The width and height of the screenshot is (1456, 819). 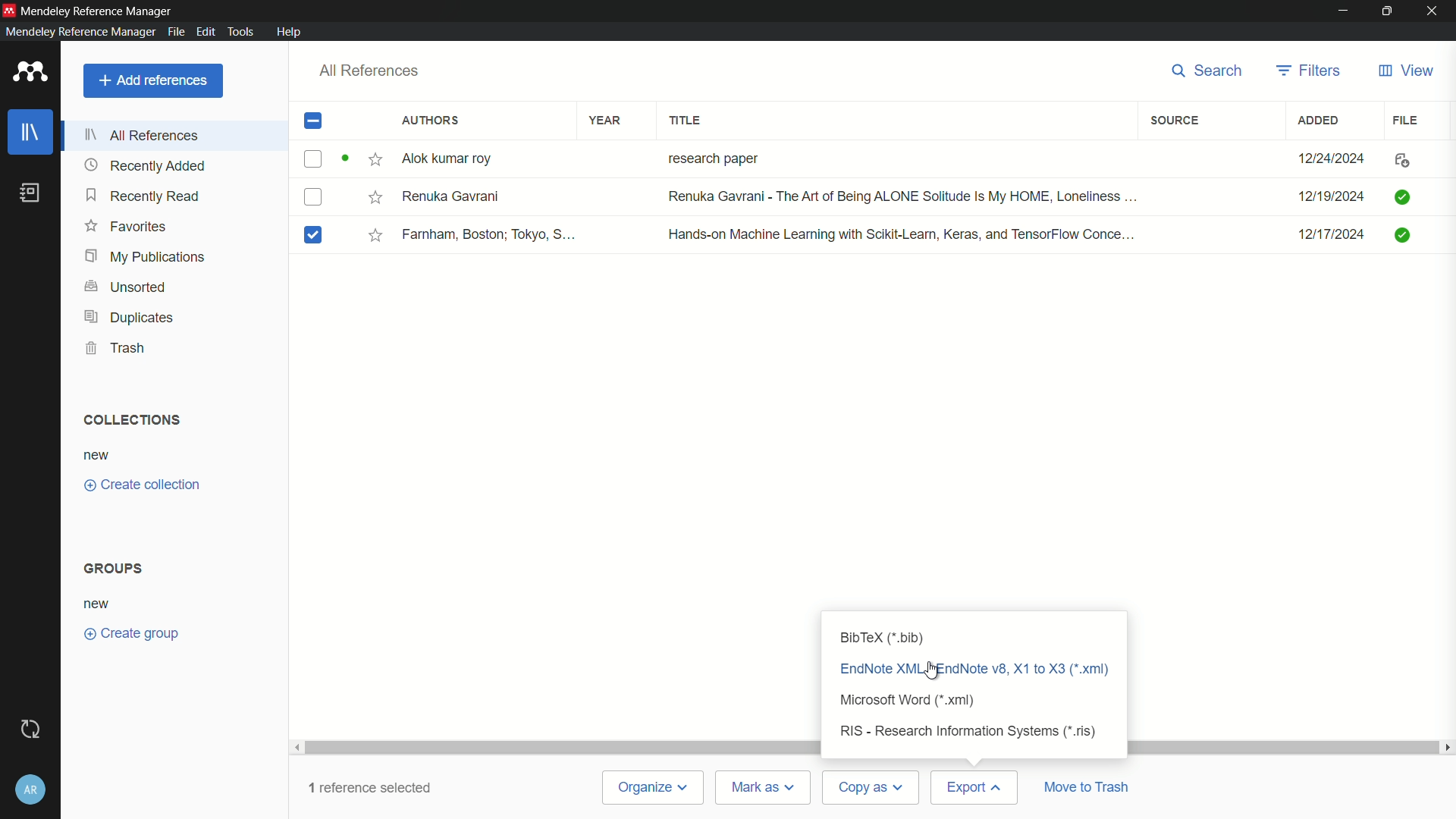 I want to click on tools menu, so click(x=242, y=32).